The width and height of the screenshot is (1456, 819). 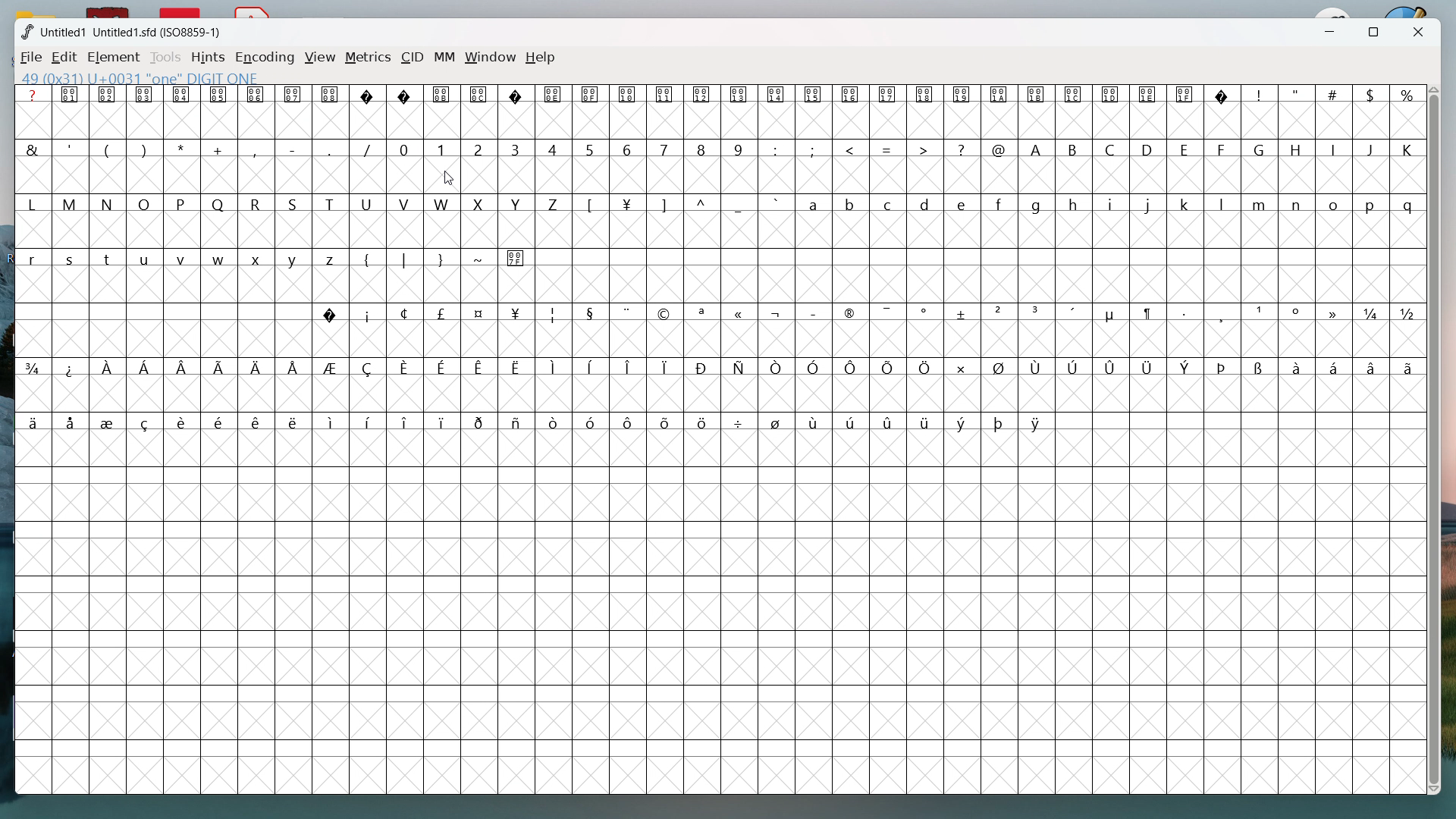 I want to click on 1, so click(x=444, y=149).